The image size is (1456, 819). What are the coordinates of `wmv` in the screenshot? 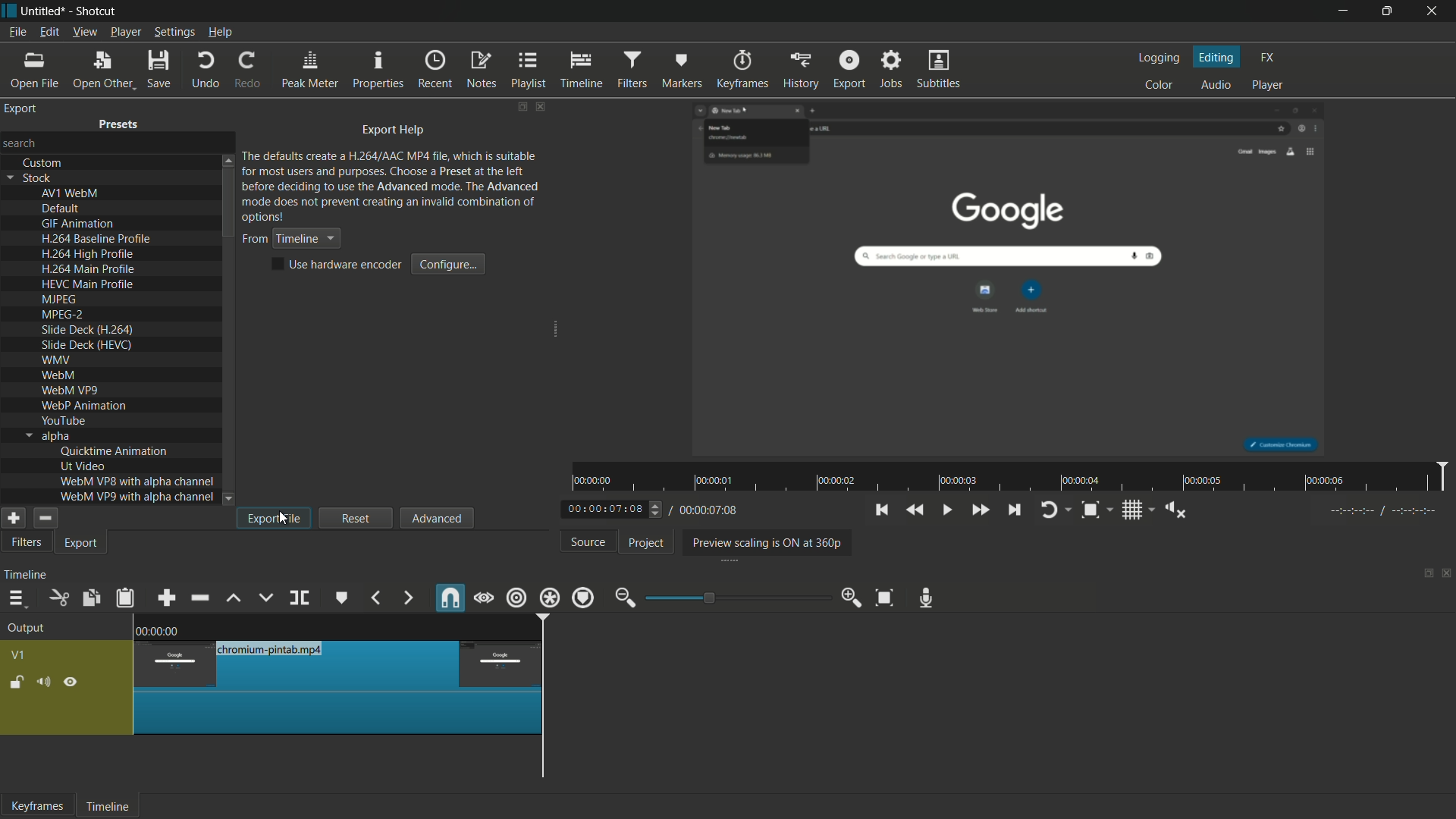 It's located at (54, 360).